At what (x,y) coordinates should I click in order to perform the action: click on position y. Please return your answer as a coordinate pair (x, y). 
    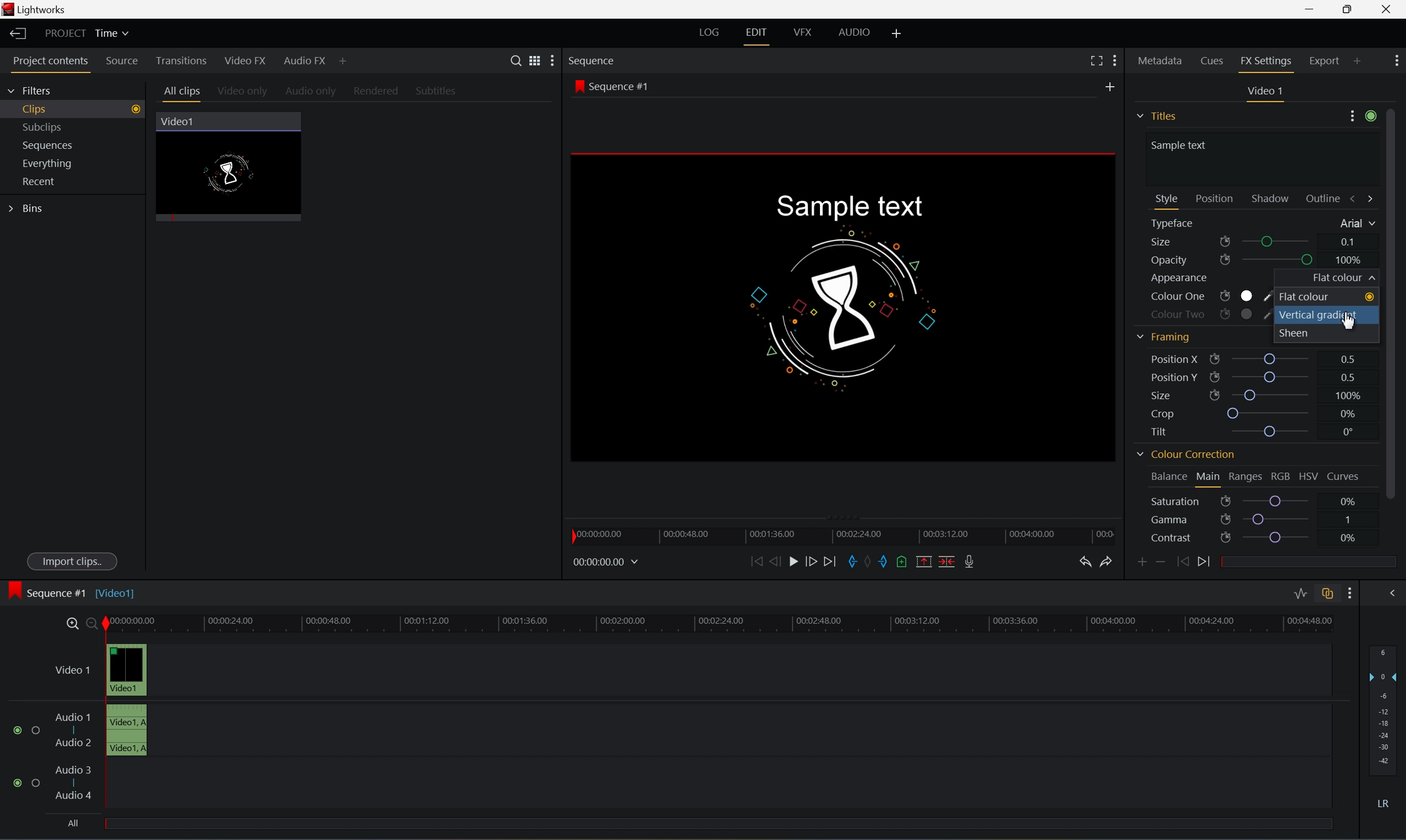
    Looking at the image, I should click on (1180, 377).